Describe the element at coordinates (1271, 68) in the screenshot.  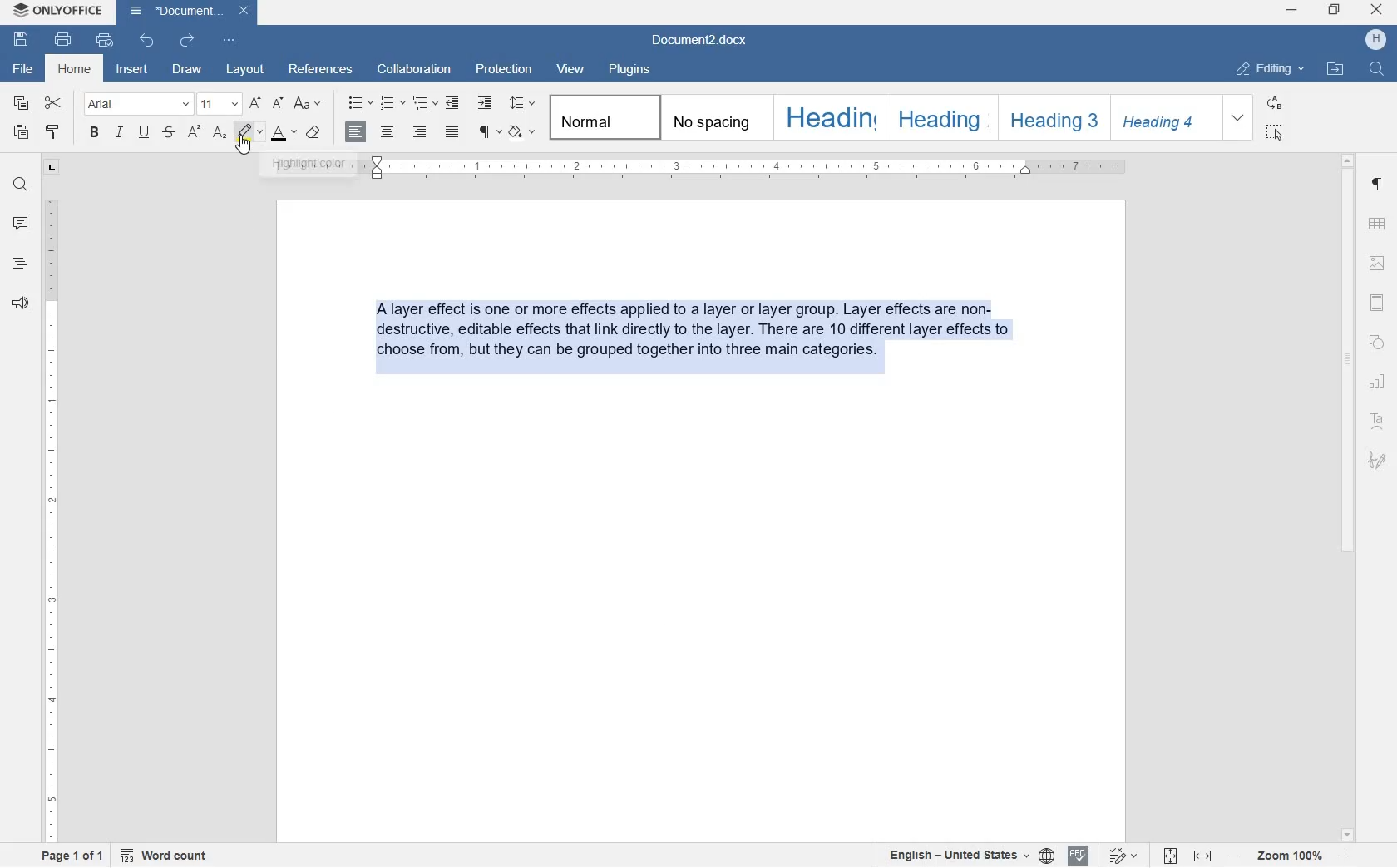
I see `editing` at that location.